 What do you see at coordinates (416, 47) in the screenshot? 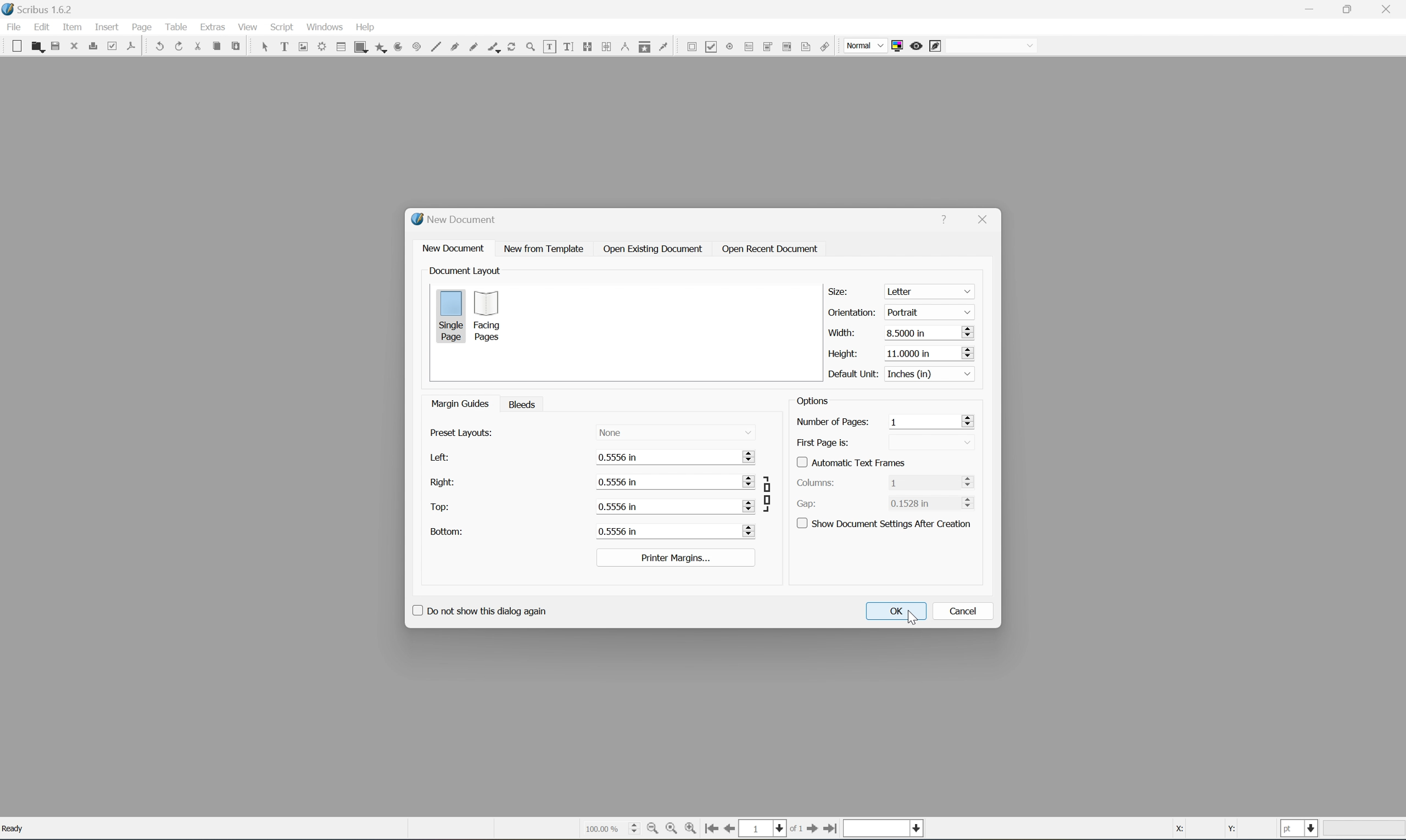
I see `spiral` at bounding box center [416, 47].